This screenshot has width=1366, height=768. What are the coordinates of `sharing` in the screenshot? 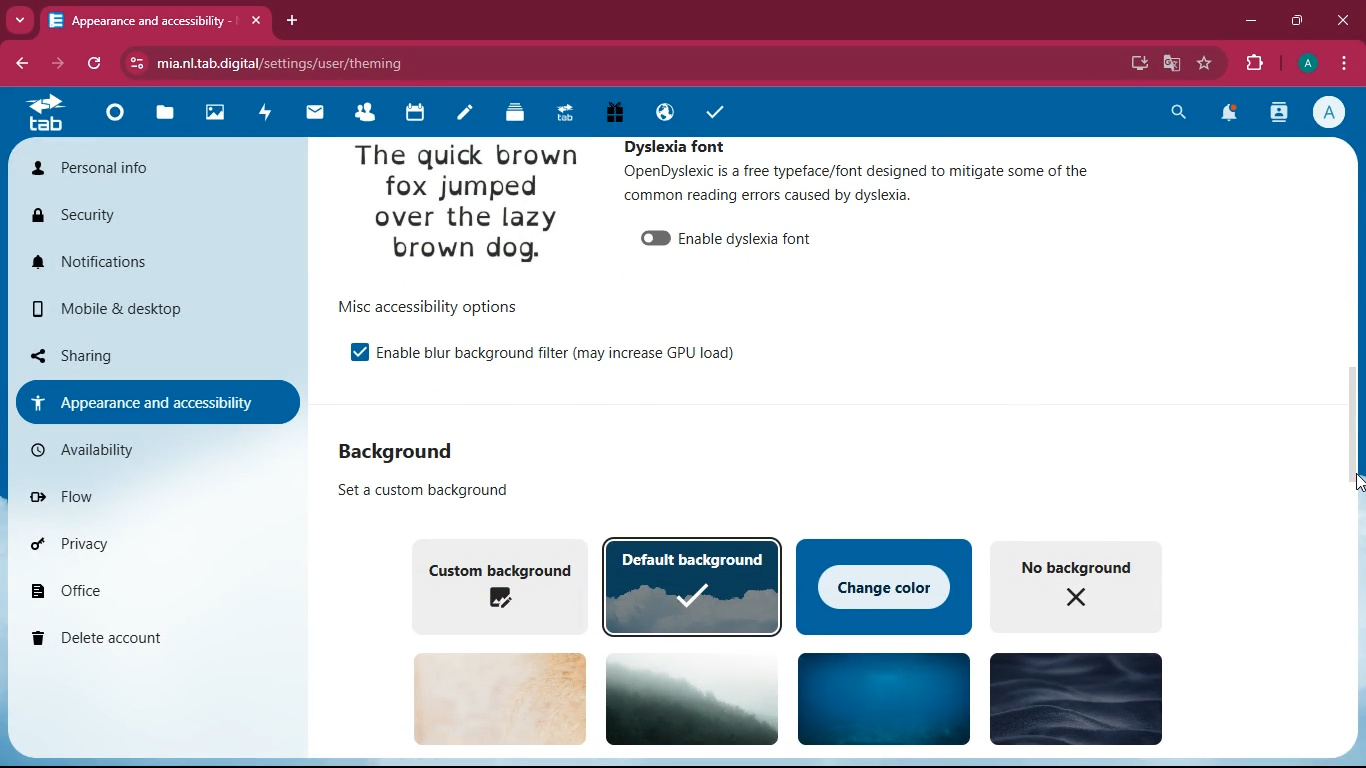 It's located at (140, 353).